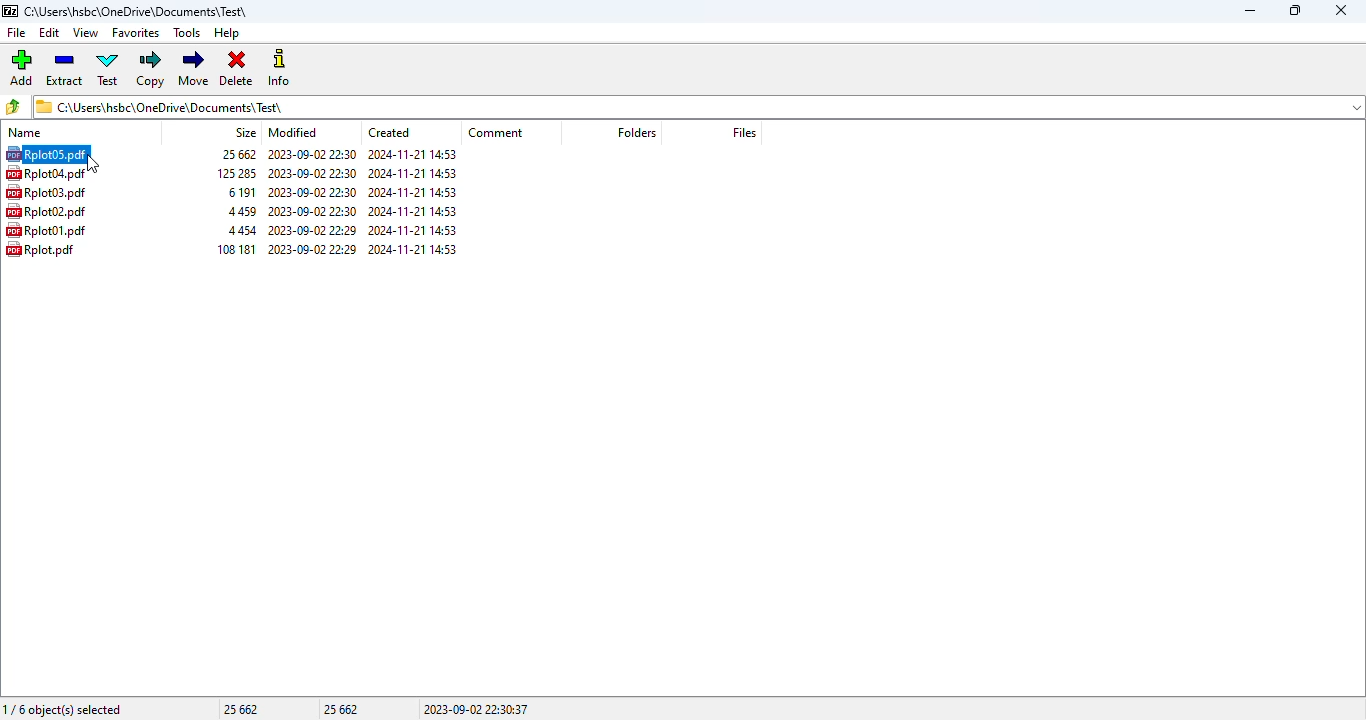 This screenshot has width=1366, height=720. I want to click on size, so click(237, 248).